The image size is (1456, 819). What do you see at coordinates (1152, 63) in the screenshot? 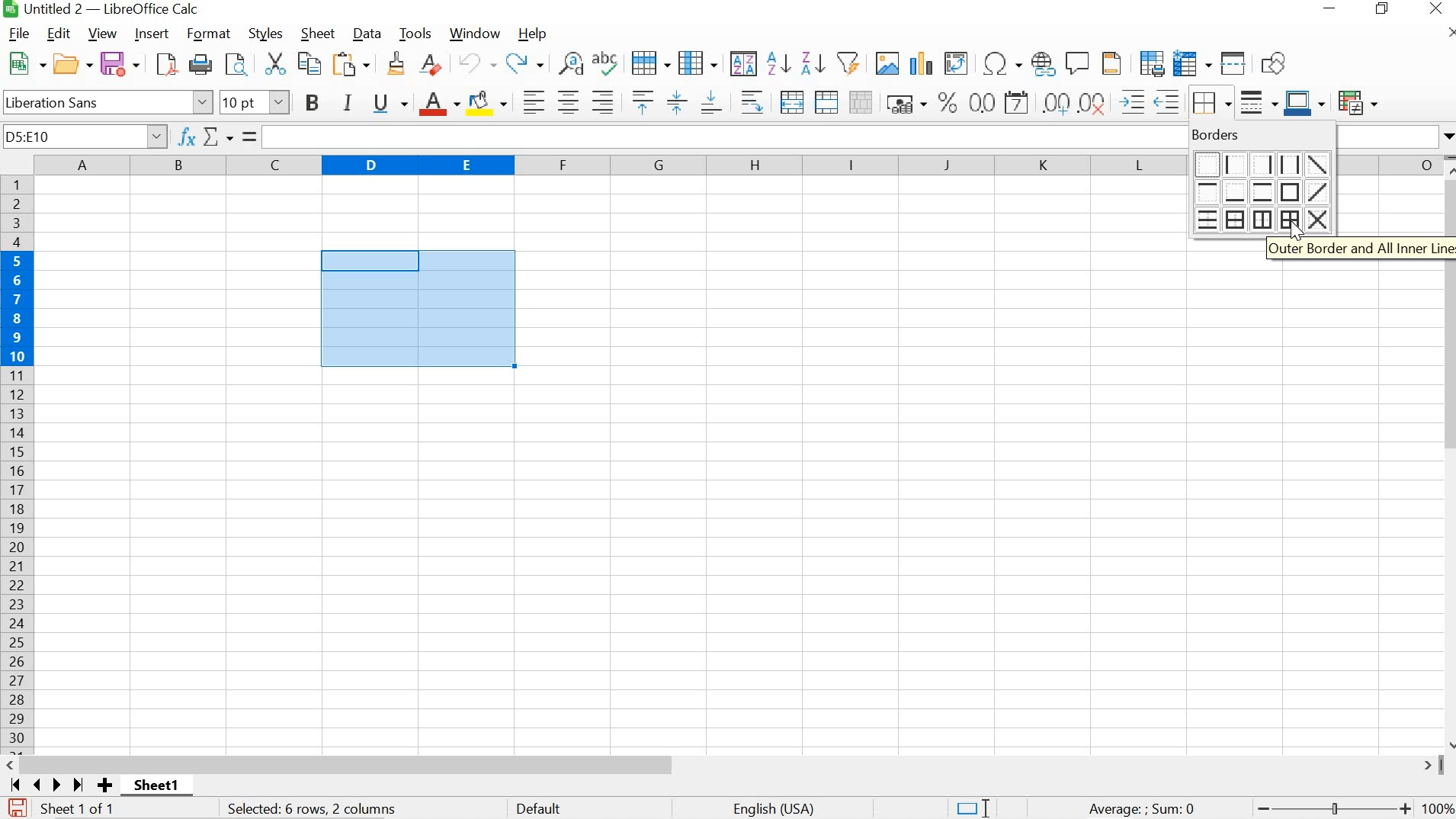
I see `define print area` at bounding box center [1152, 63].